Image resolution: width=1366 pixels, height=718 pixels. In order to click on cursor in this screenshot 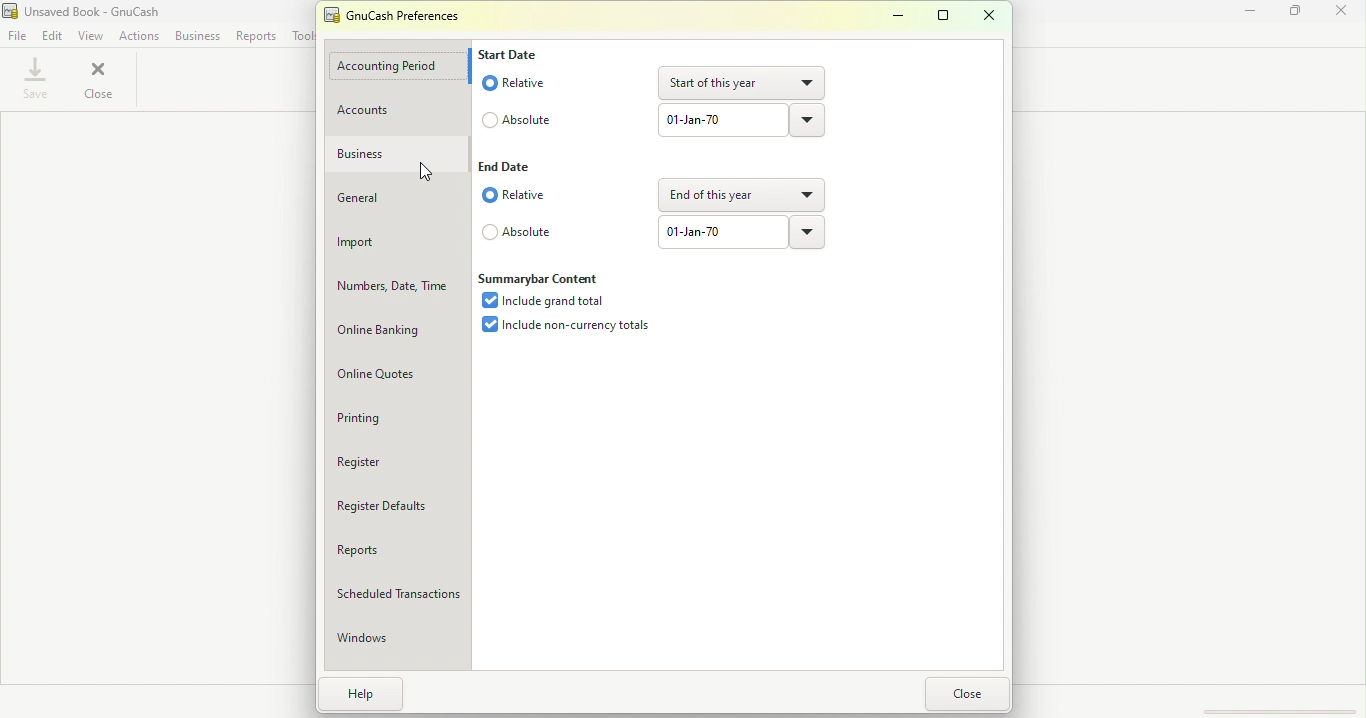, I will do `click(422, 175)`.